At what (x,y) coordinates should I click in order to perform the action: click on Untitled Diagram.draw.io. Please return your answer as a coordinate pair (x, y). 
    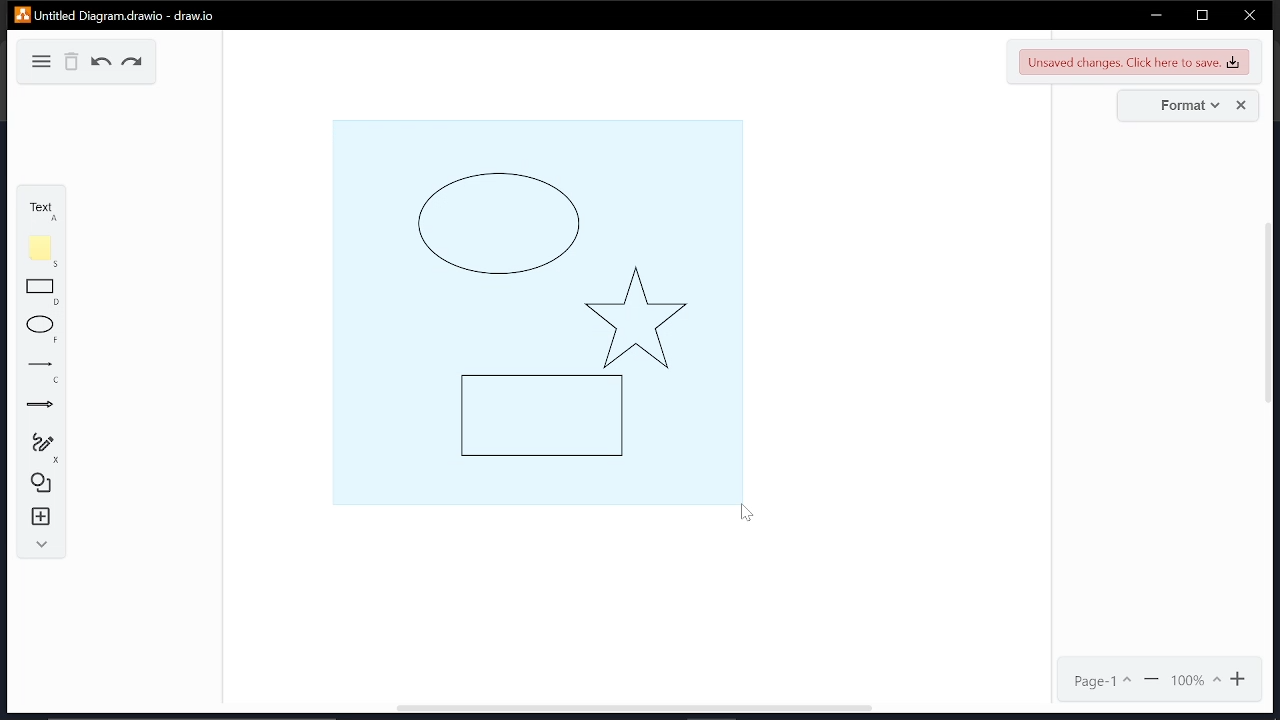
    Looking at the image, I should click on (114, 15).